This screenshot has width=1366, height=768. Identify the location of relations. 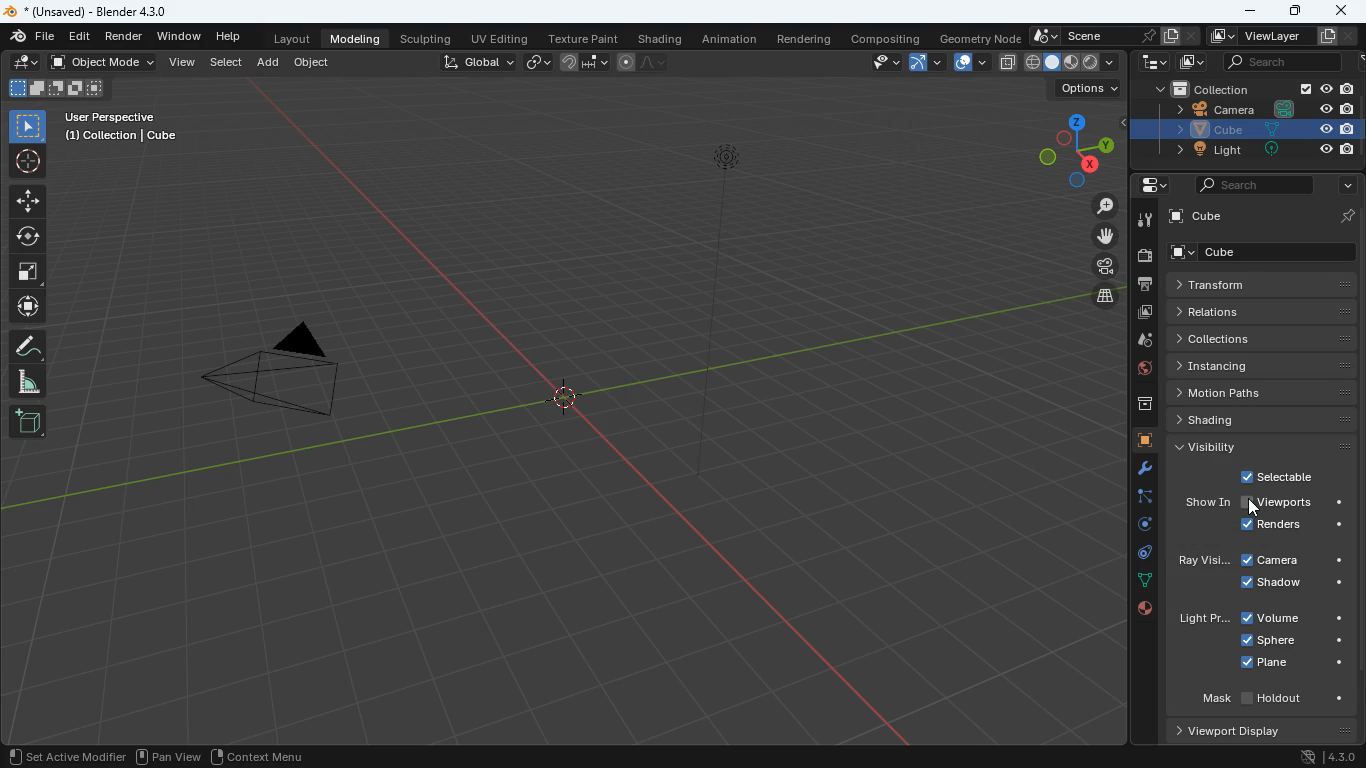
(1268, 312).